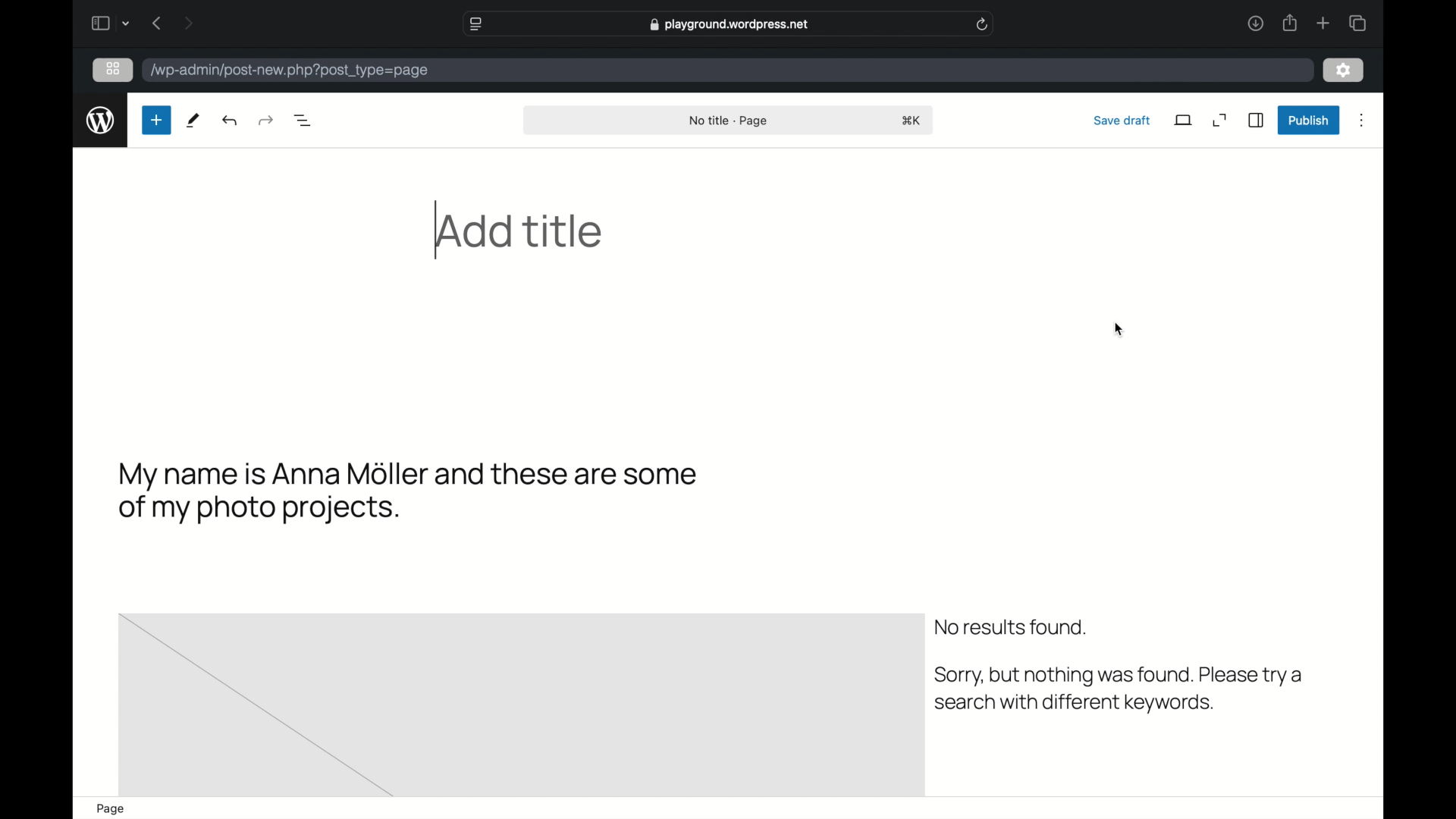  I want to click on wordpress, so click(100, 121).